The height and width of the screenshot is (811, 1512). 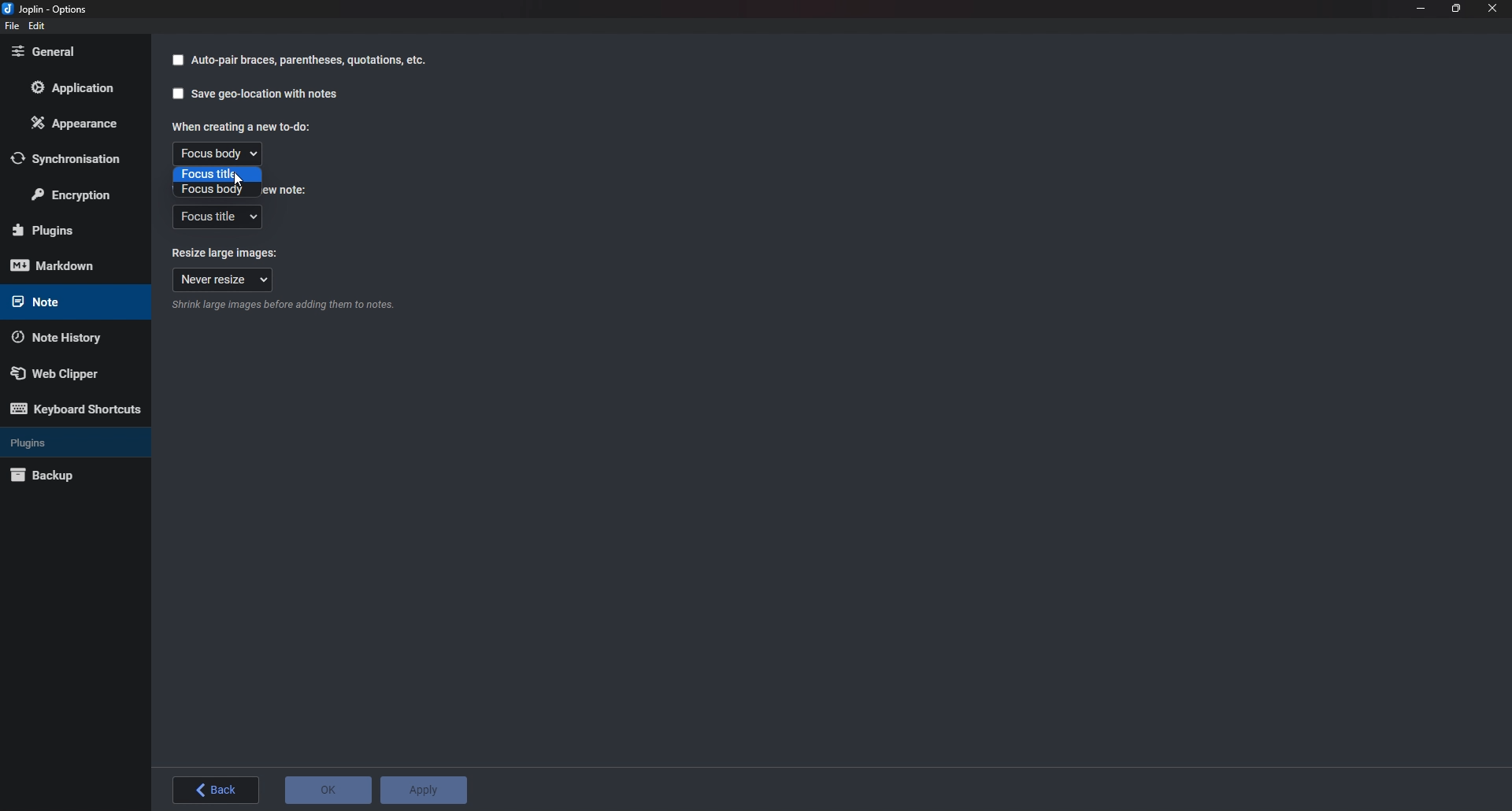 What do you see at coordinates (218, 154) in the screenshot?
I see `Focus body` at bounding box center [218, 154].